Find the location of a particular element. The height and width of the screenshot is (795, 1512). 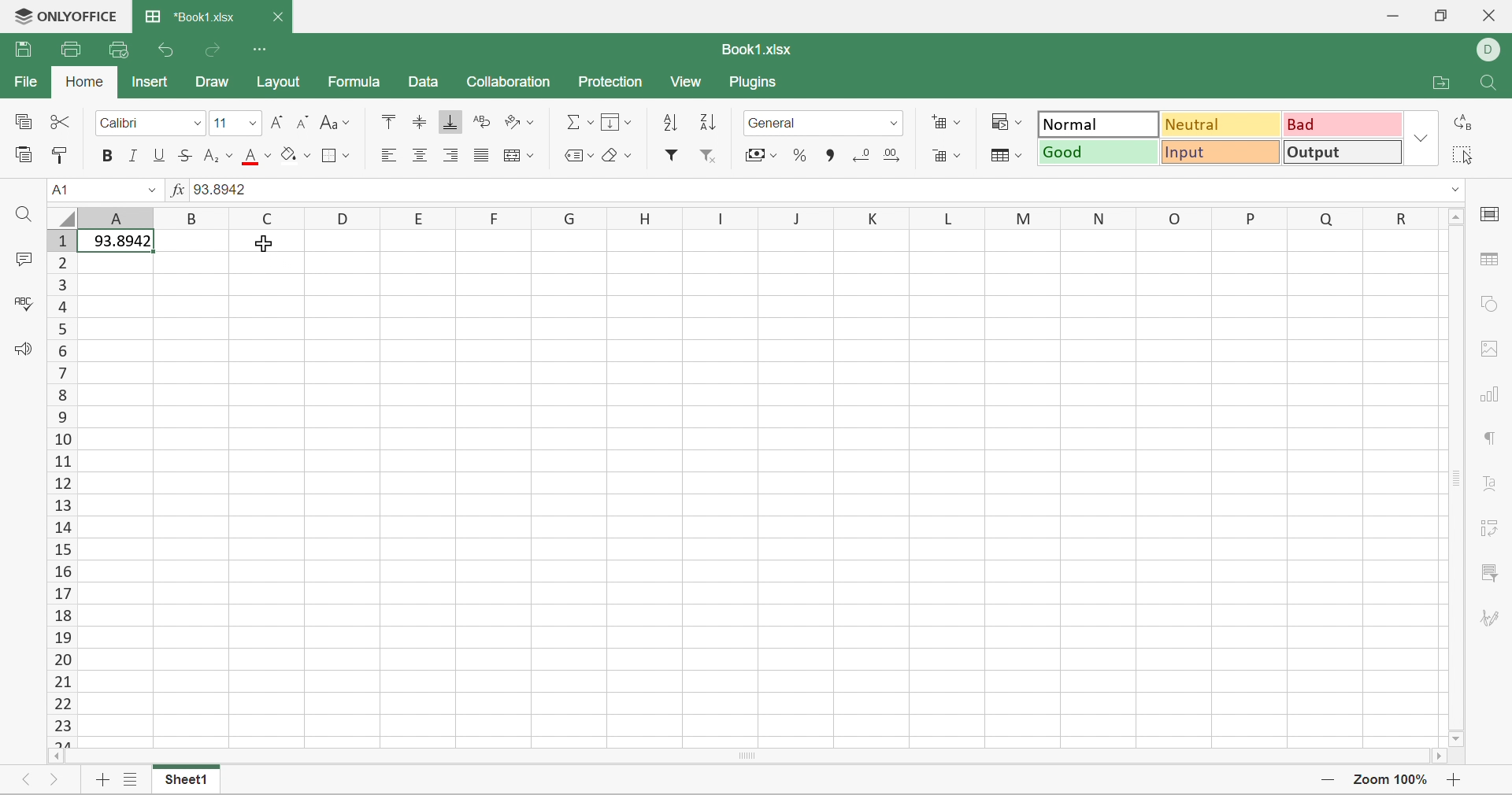

Merge and center is located at coordinates (519, 154).